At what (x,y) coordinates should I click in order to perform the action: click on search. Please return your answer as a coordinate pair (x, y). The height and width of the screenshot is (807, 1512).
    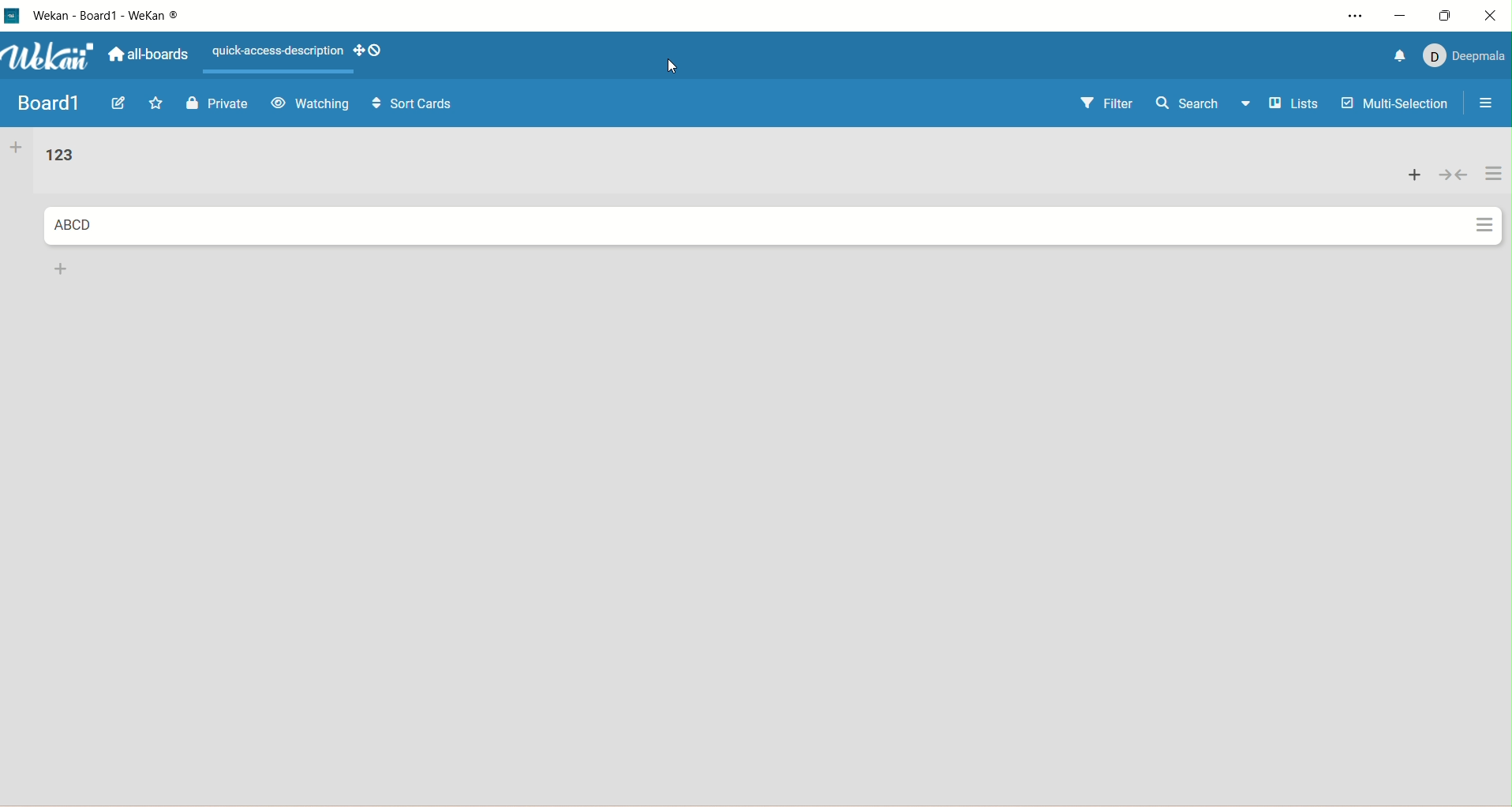
    Looking at the image, I should click on (1207, 106).